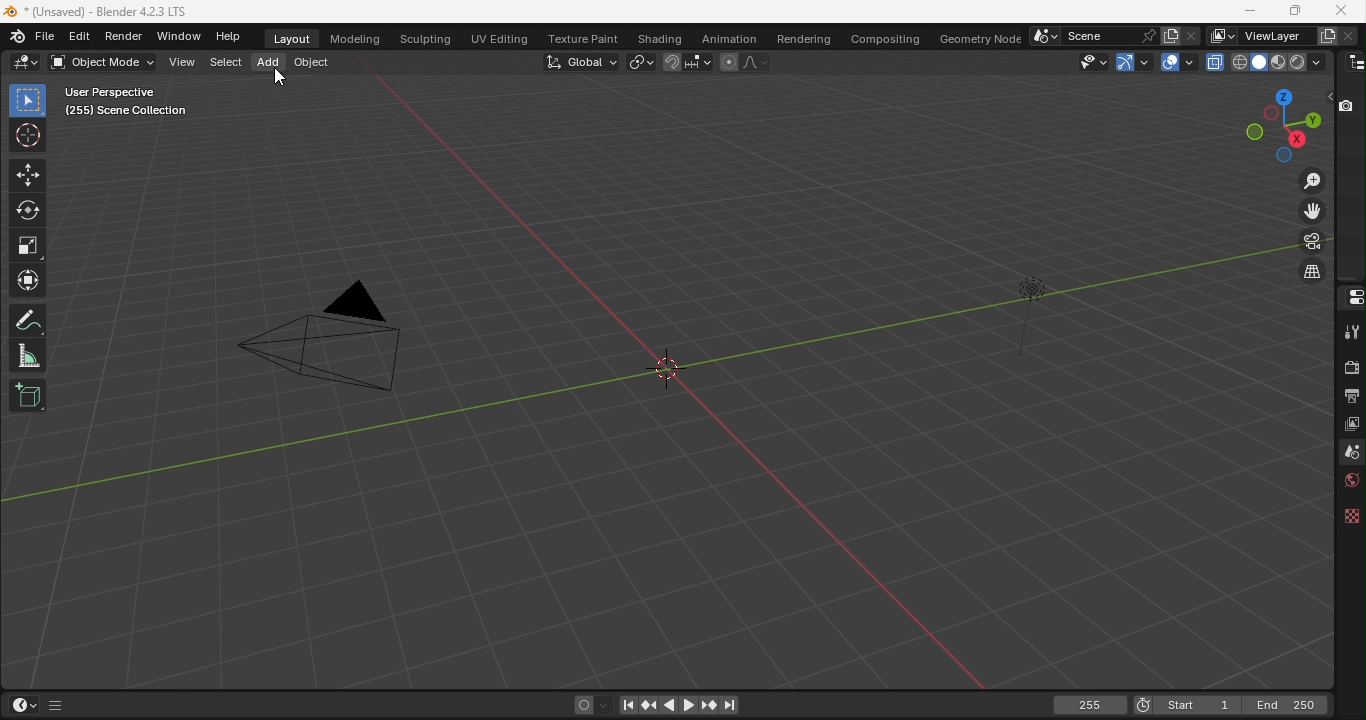  I want to click on Viewport shading: Solid, so click(1257, 62).